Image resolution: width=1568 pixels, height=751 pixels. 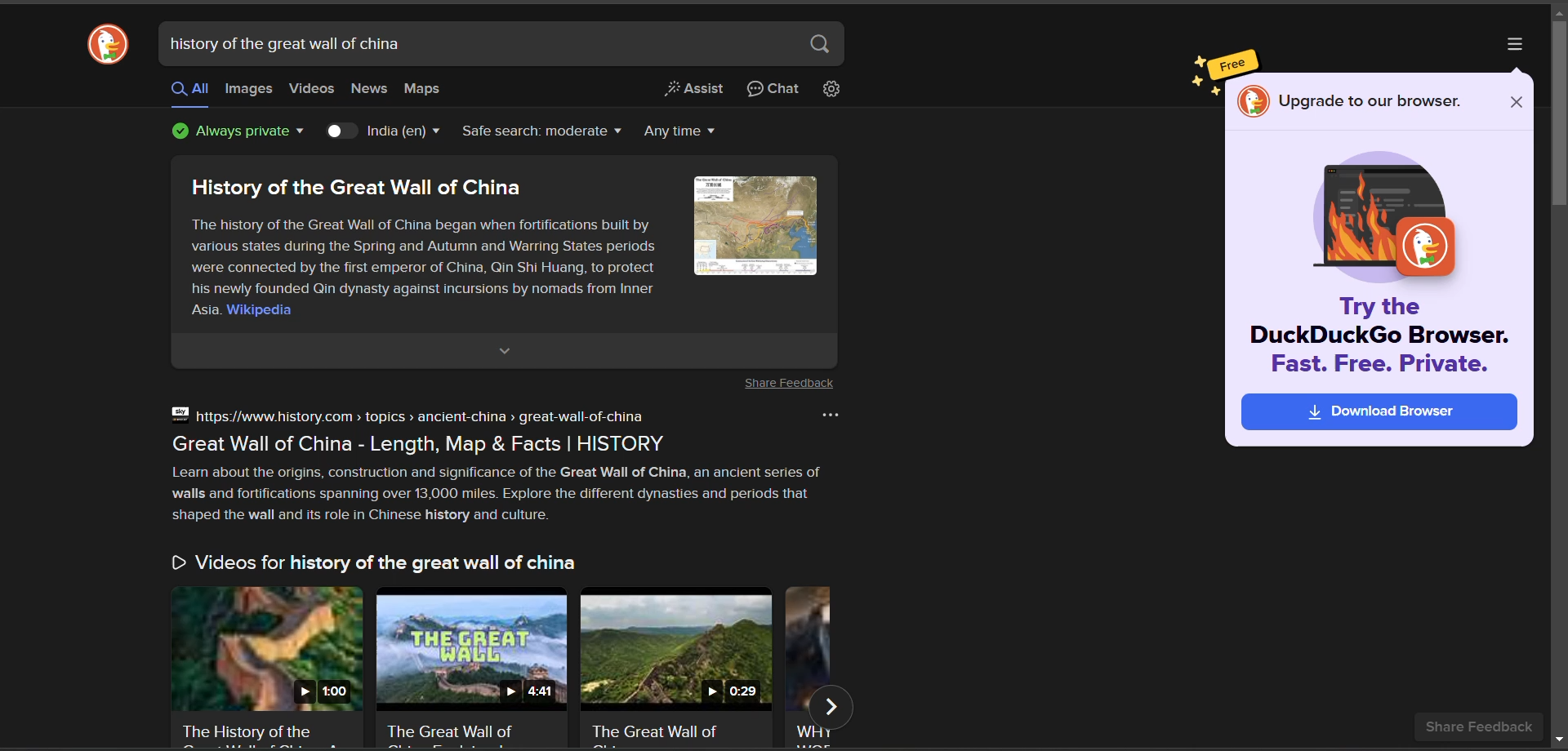 What do you see at coordinates (799, 382) in the screenshot?
I see `Share Feedback` at bounding box center [799, 382].